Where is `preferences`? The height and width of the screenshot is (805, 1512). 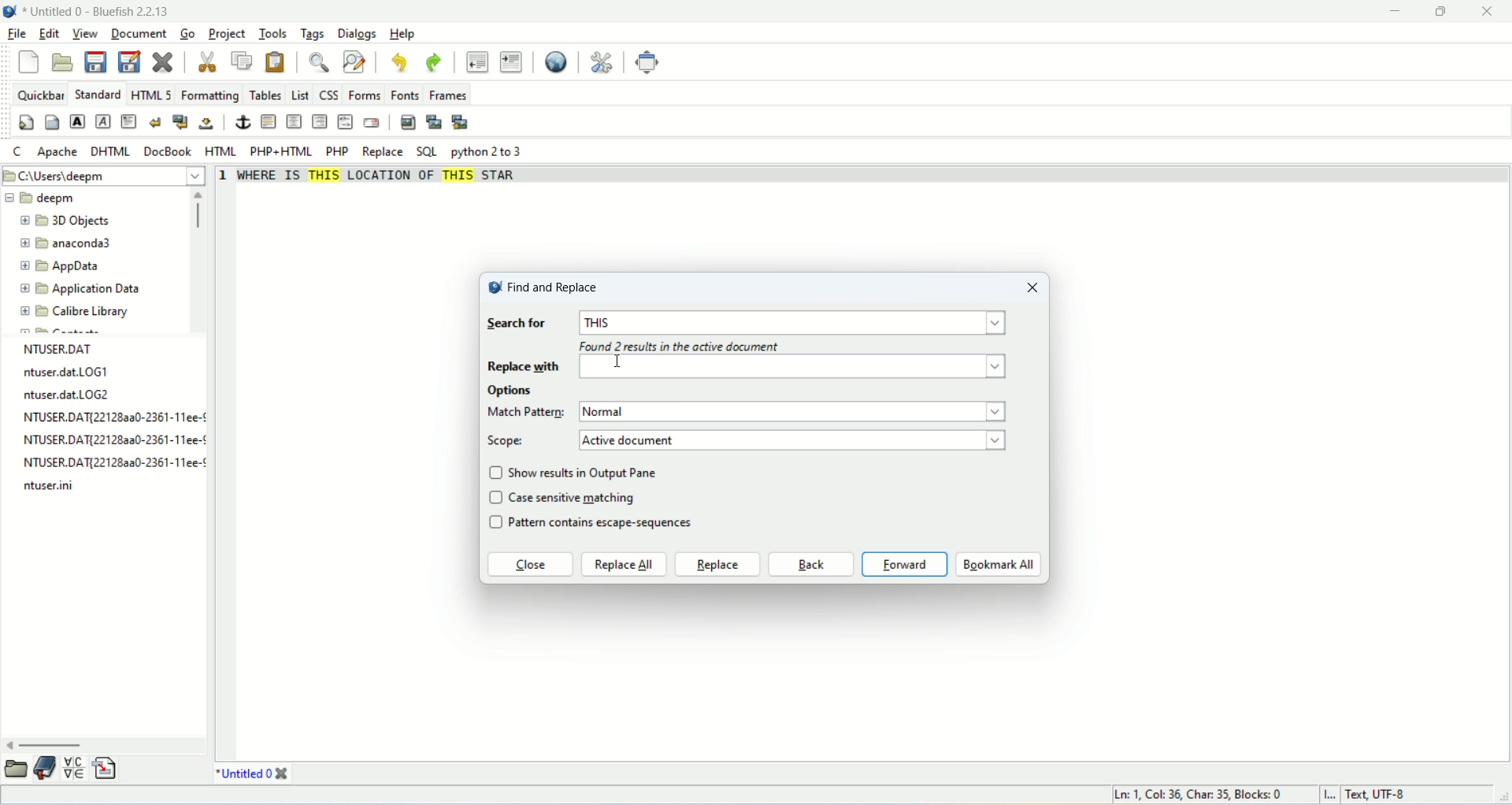 preferences is located at coordinates (602, 63).